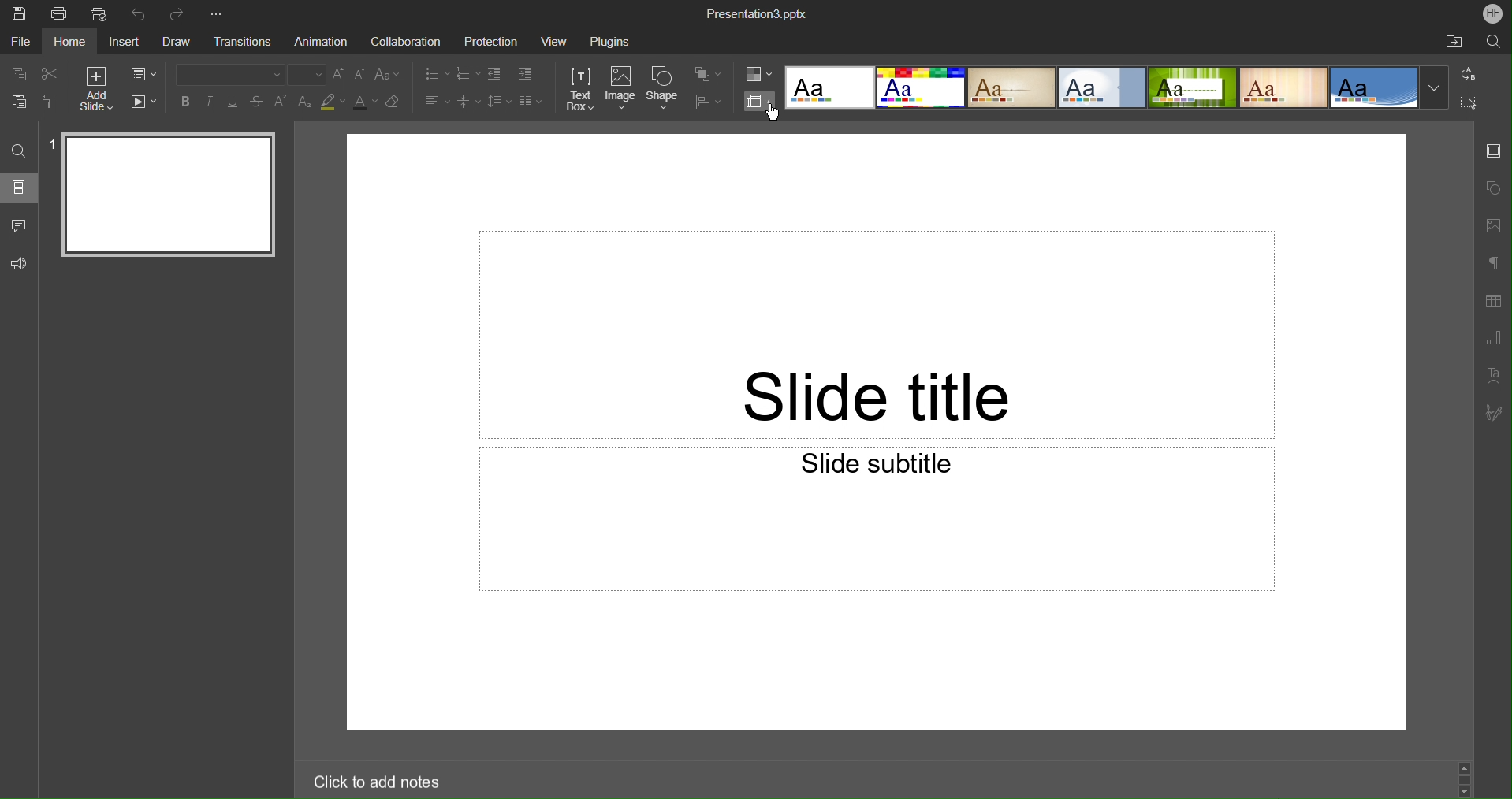 The height and width of the screenshot is (799, 1512). Describe the element at coordinates (181, 11) in the screenshot. I see `Redo` at that location.